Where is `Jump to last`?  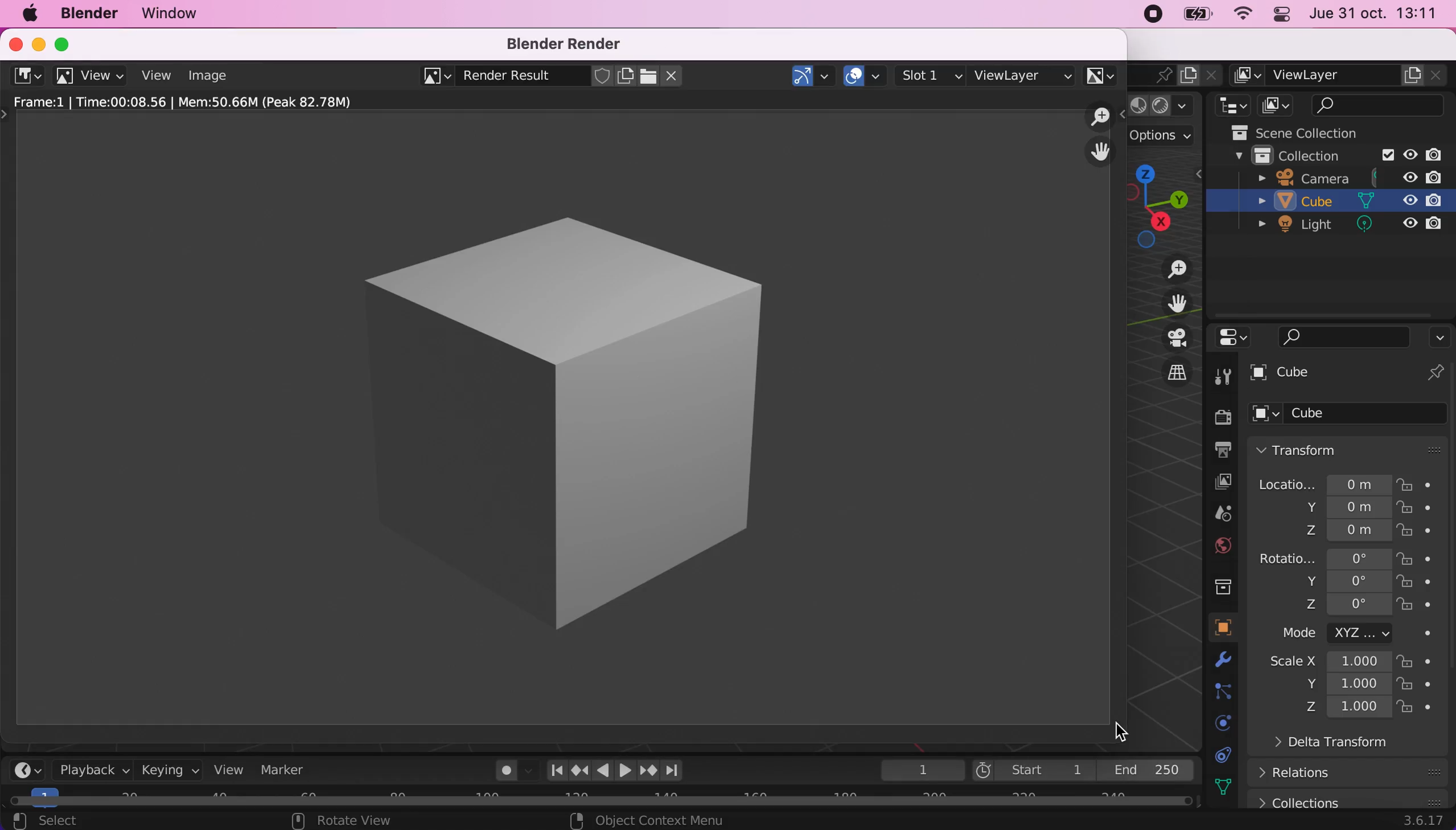
Jump to last is located at coordinates (674, 766).